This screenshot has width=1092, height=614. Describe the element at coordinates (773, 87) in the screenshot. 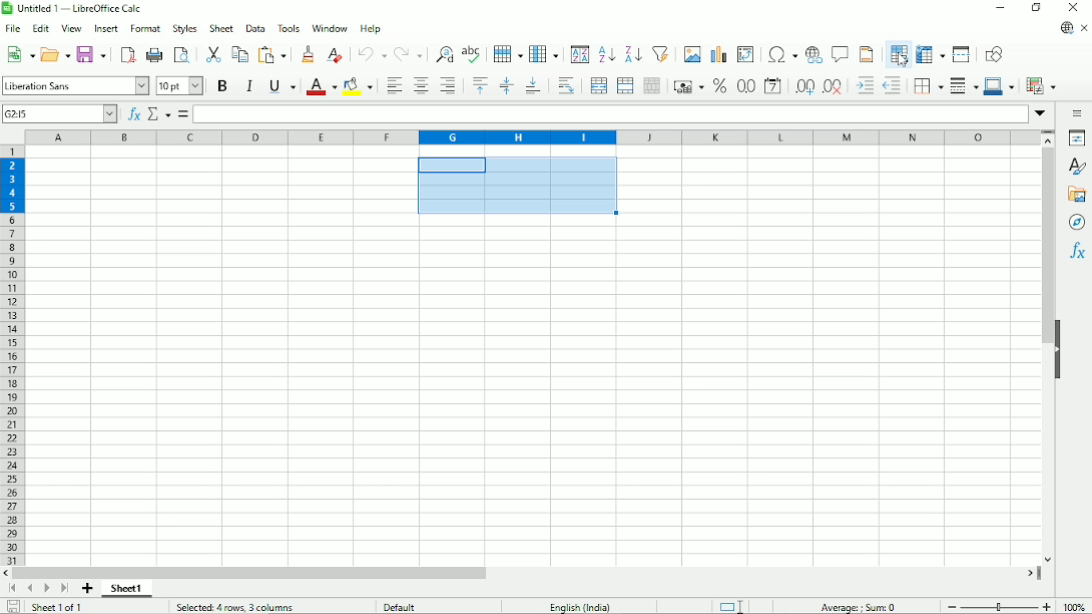

I see `Format as date` at that location.